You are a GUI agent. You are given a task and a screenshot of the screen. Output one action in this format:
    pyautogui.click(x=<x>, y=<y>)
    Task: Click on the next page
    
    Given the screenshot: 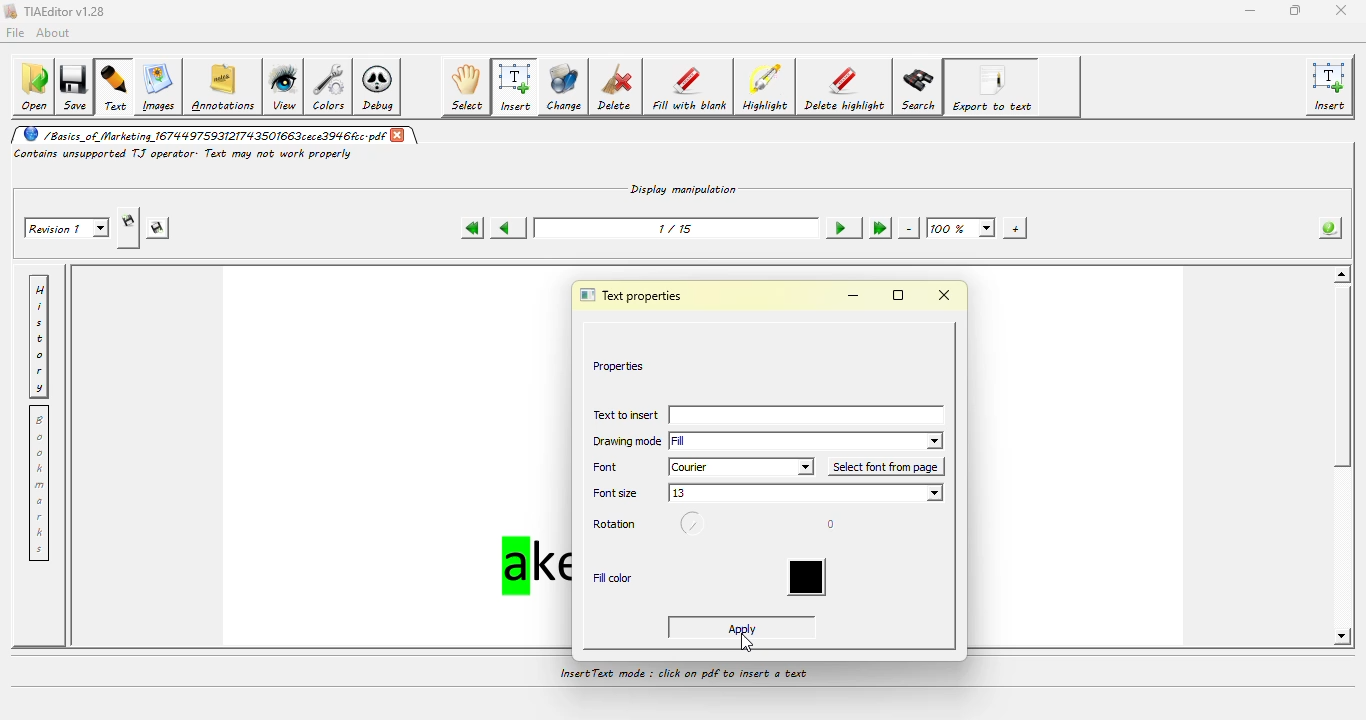 What is the action you would take?
    pyautogui.click(x=838, y=227)
    